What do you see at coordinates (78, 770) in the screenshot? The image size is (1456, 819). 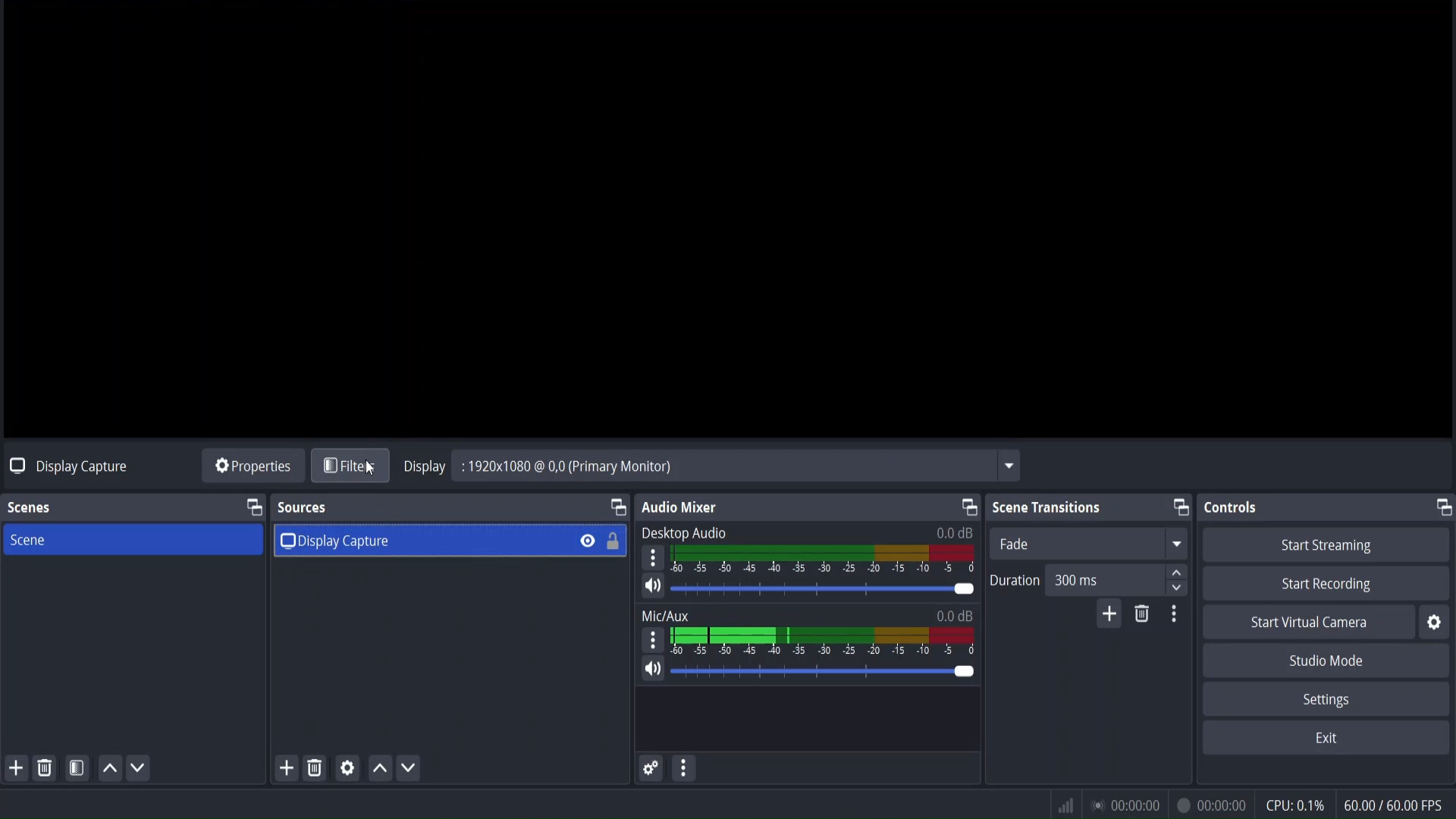 I see `open scene filter` at bounding box center [78, 770].